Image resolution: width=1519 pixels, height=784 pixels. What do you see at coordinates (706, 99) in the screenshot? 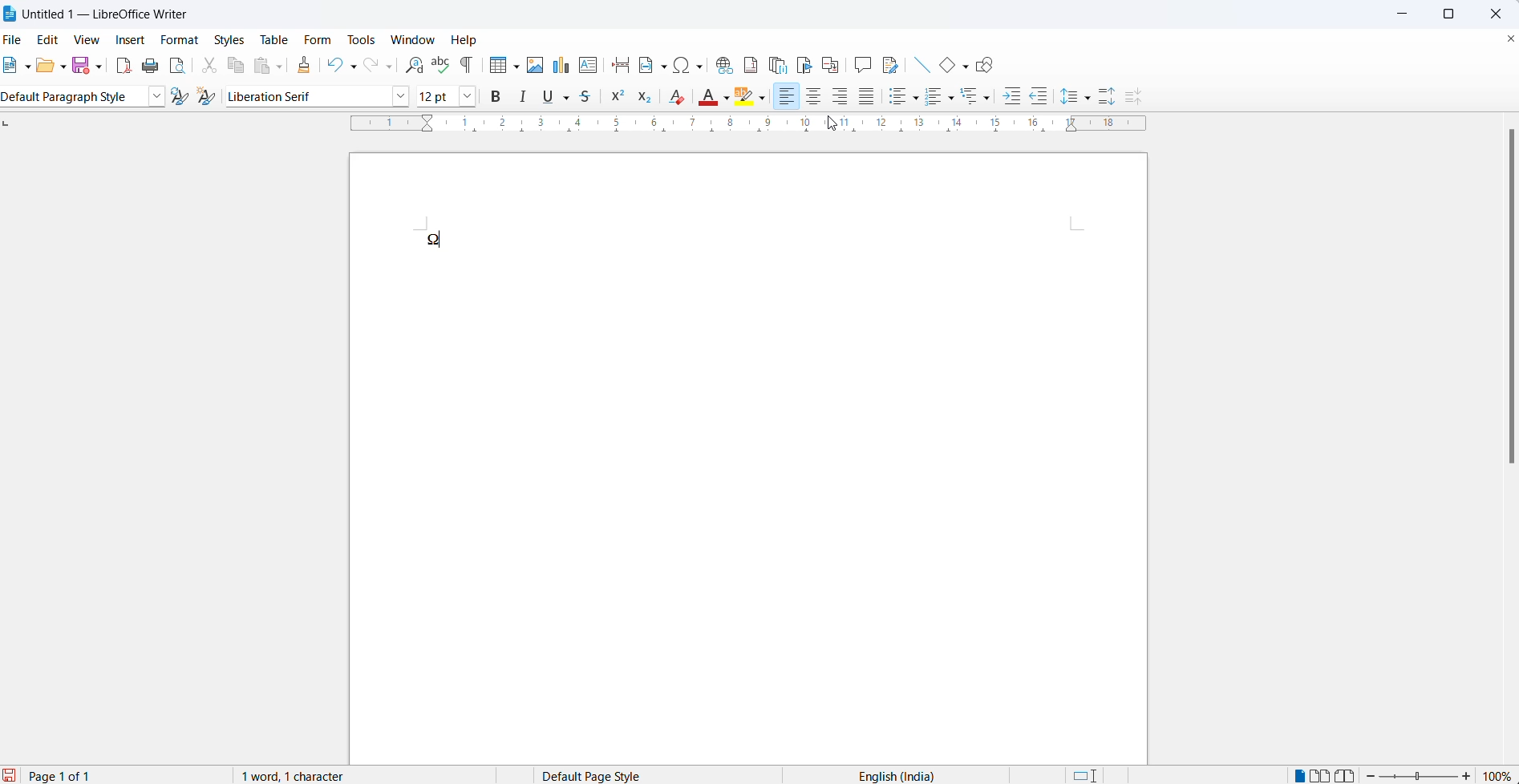
I see `font color` at bounding box center [706, 99].